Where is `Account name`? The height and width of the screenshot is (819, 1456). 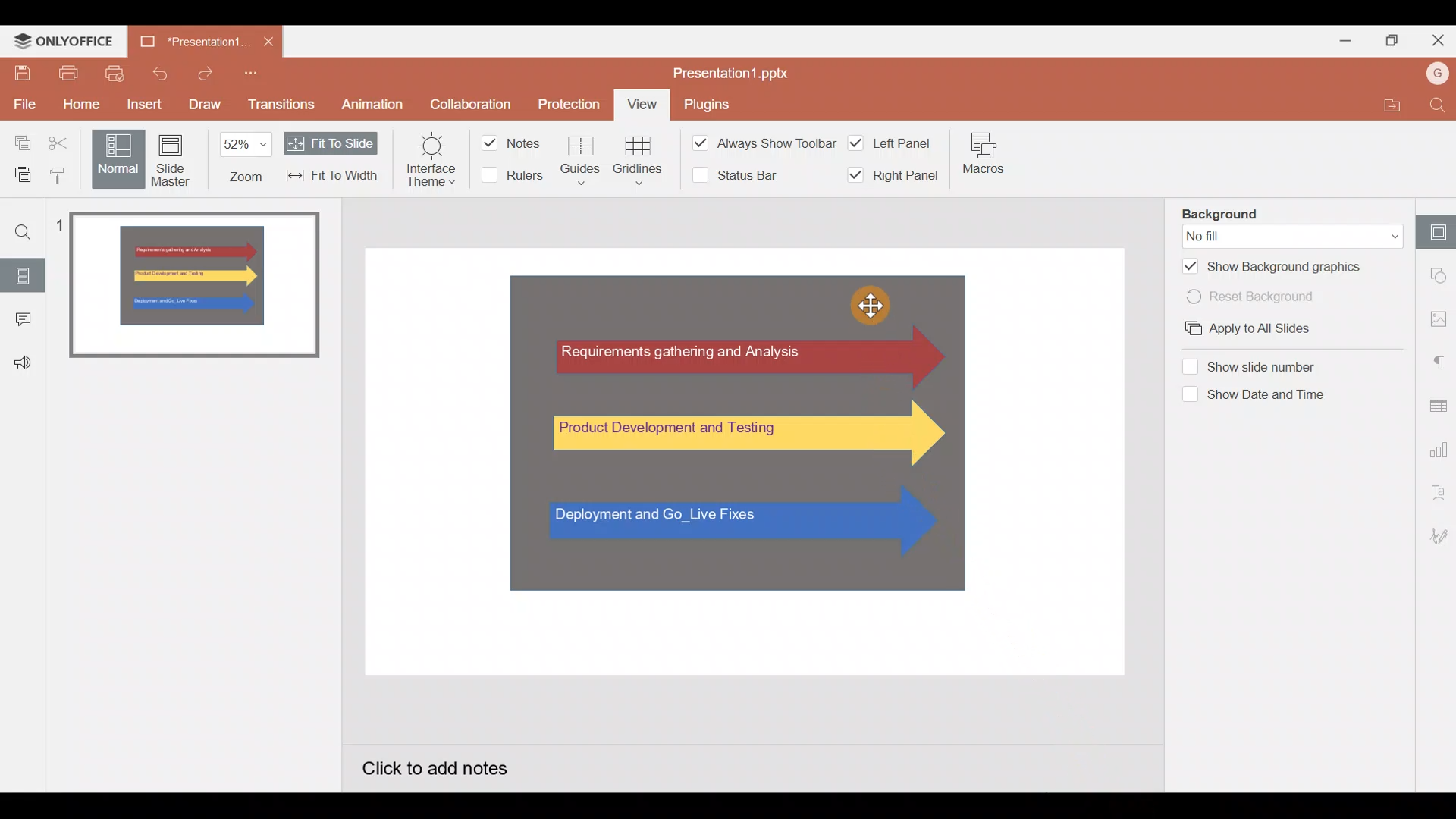 Account name is located at coordinates (1433, 75).